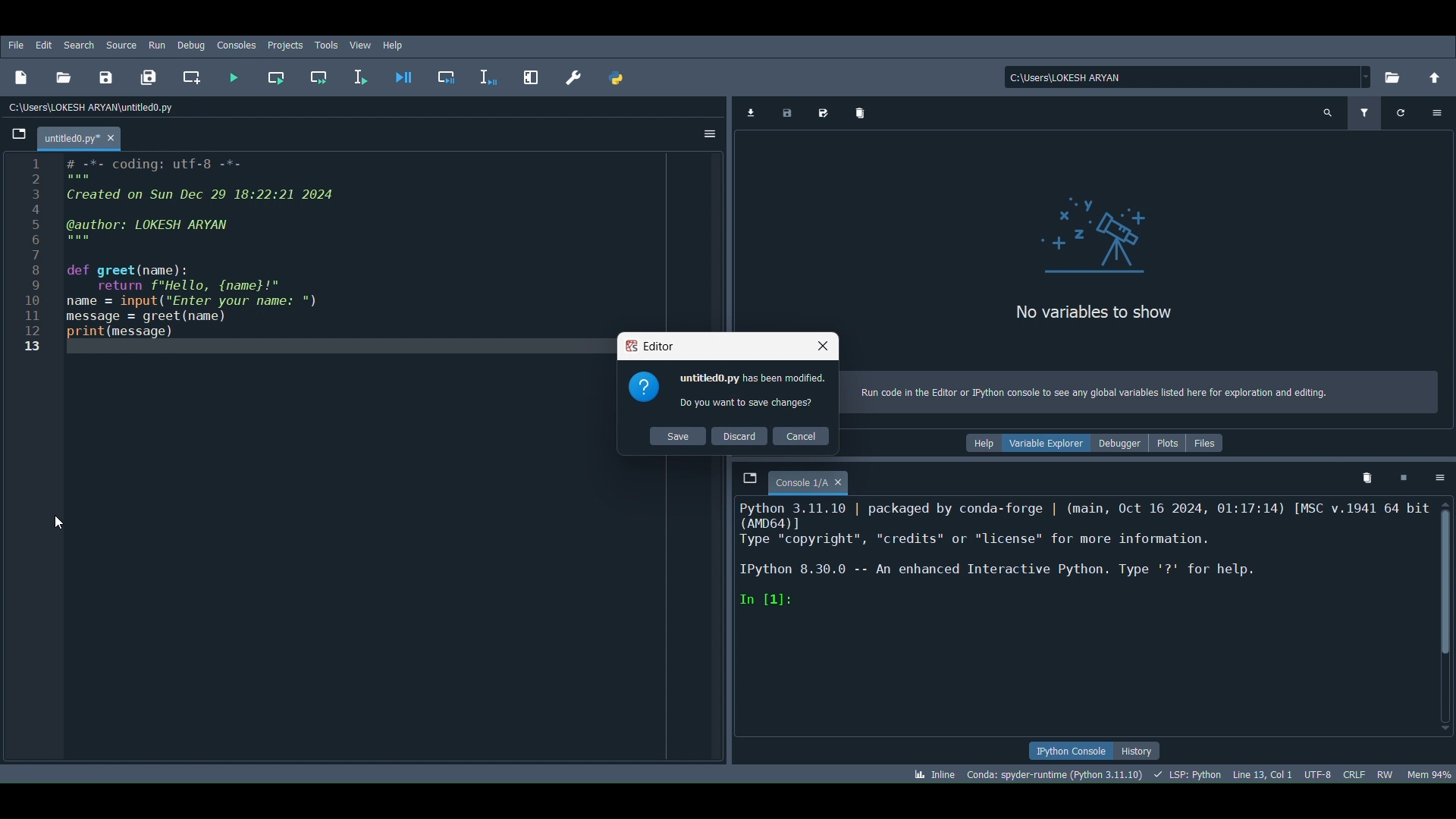 Image resolution: width=1456 pixels, height=819 pixels. What do you see at coordinates (753, 378) in the screenshot?
I see `untitled0.py has been modified.` at bounding box center [753, 378].